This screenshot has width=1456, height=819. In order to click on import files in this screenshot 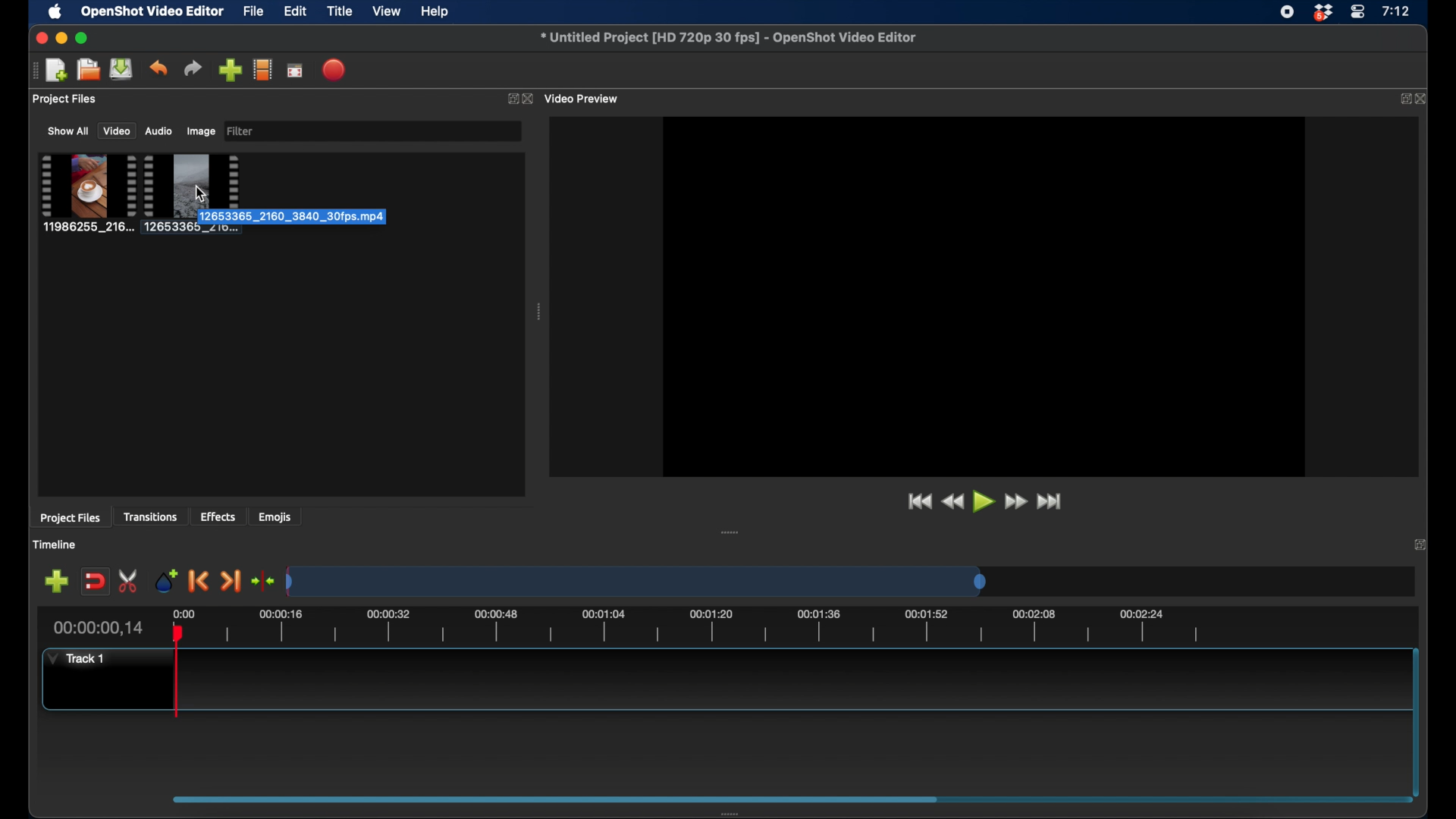, I will do `click(231, 70)`.